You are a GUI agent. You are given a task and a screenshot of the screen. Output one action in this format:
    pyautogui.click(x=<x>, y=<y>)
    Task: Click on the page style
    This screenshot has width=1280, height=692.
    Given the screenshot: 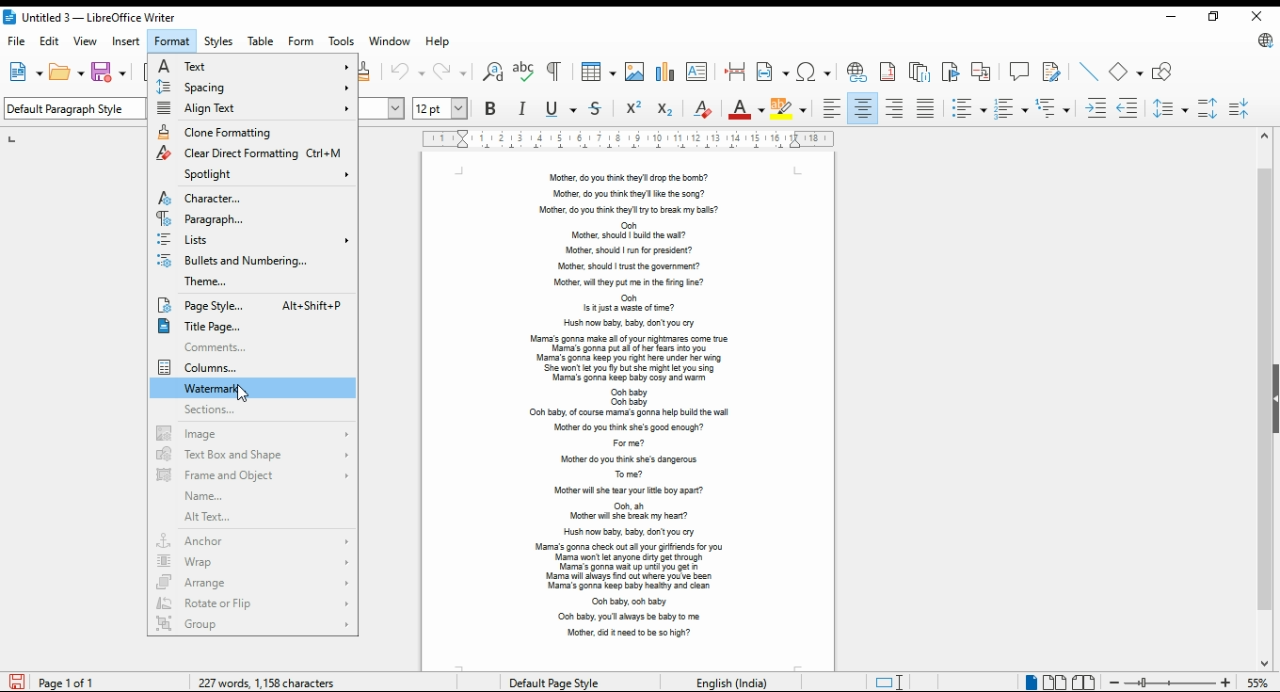 What is the action you would take?
    pyautogui.click(x=250, y=304)
    